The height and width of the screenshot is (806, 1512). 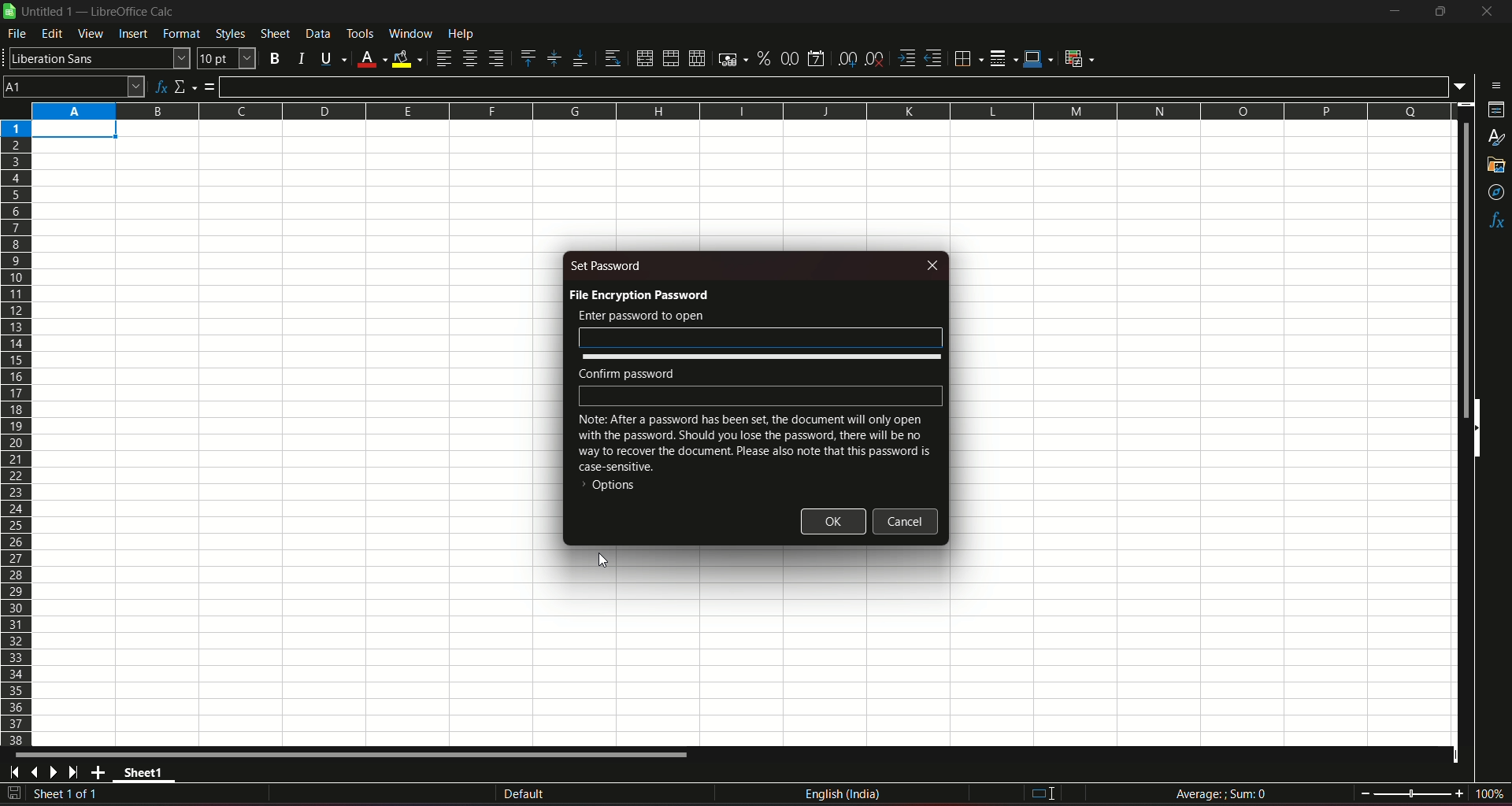 What do you see at coordinates (1496, 139) in the screenshot?
I see `styles` at bounding box center [1496, 139].